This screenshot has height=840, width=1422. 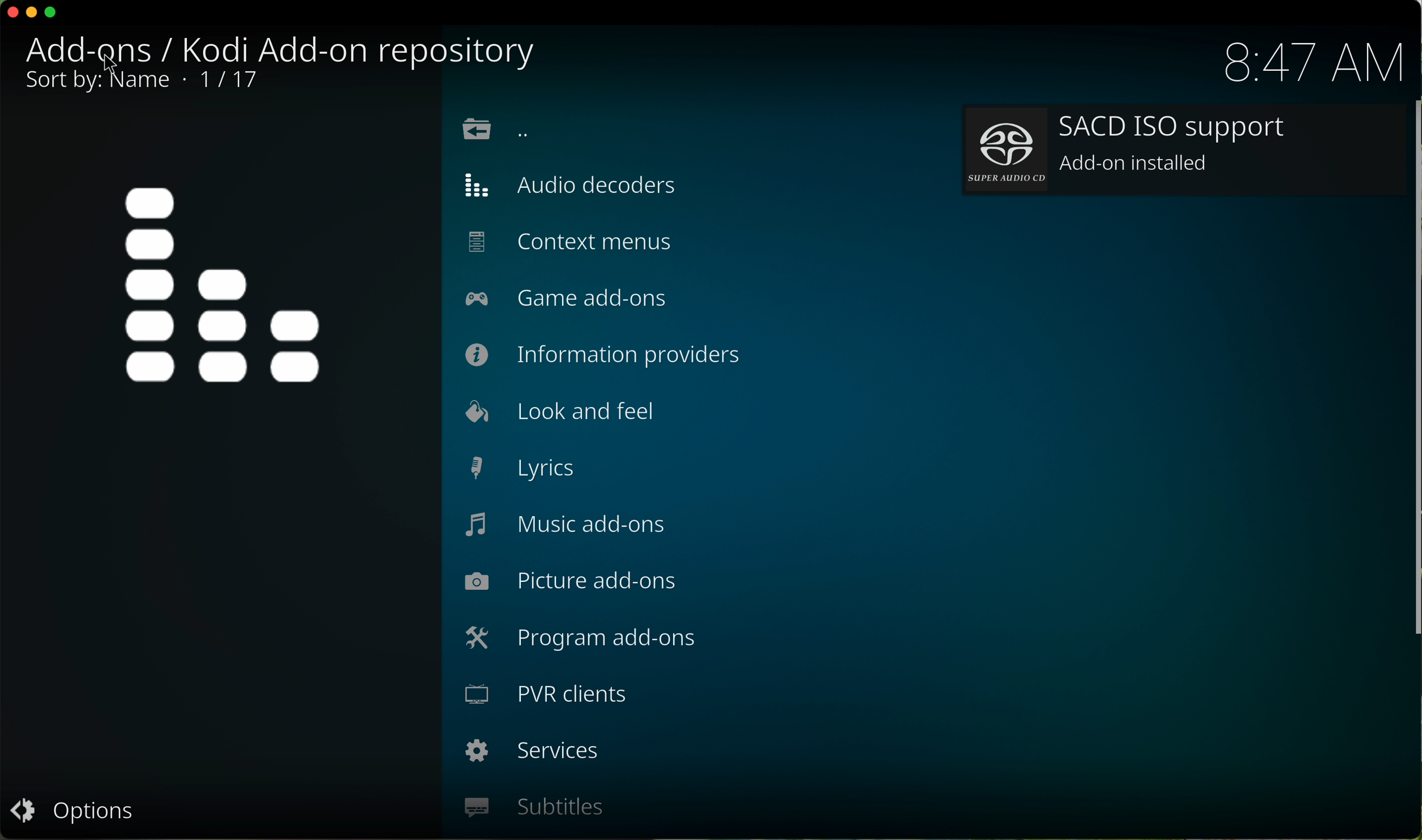 What do you see at coordinates (569, 192) in the screenshot?
I see `audio decoders` at bounding box center [569, 192].